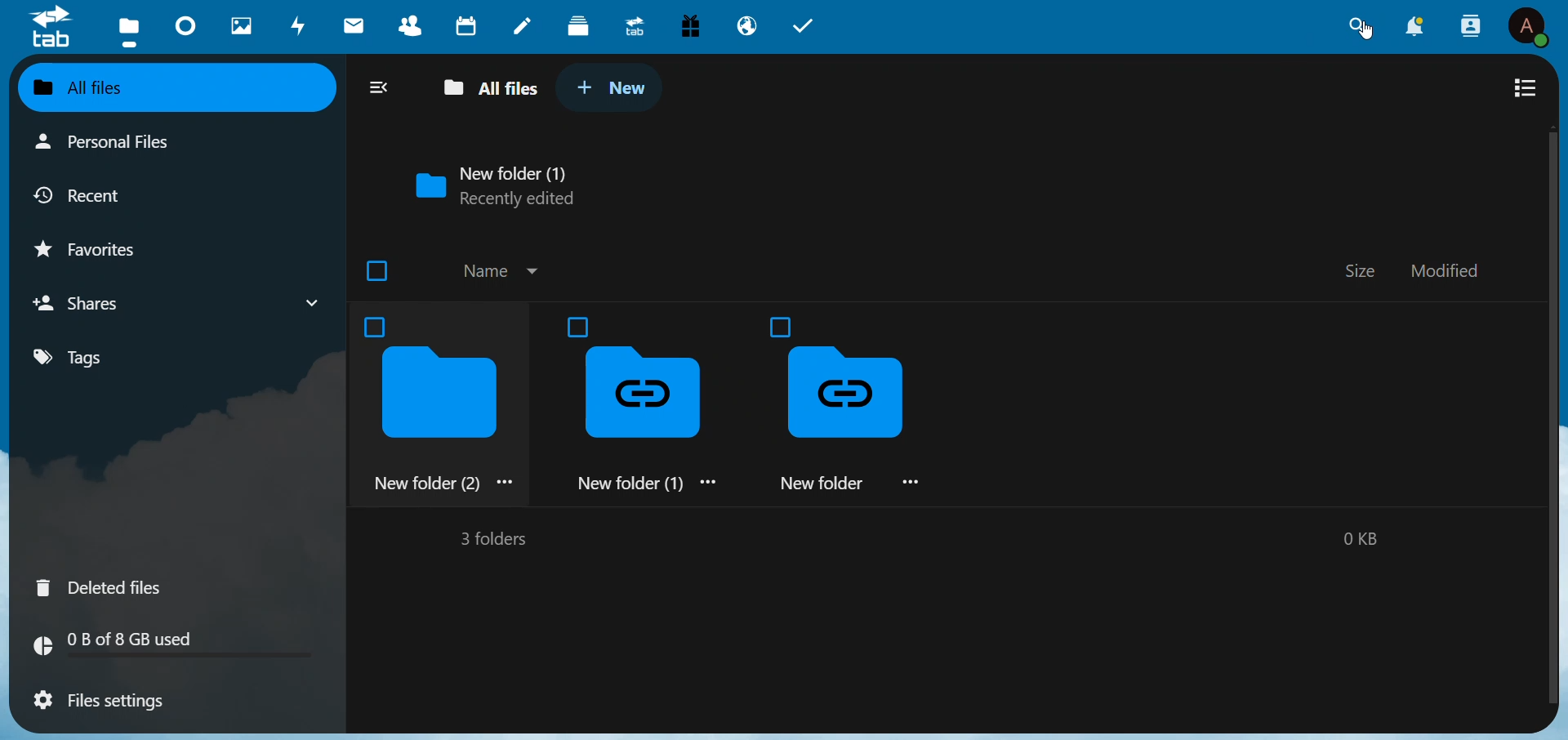 The image size is (1568, 740). I want to click on notes, so click(526, 27).